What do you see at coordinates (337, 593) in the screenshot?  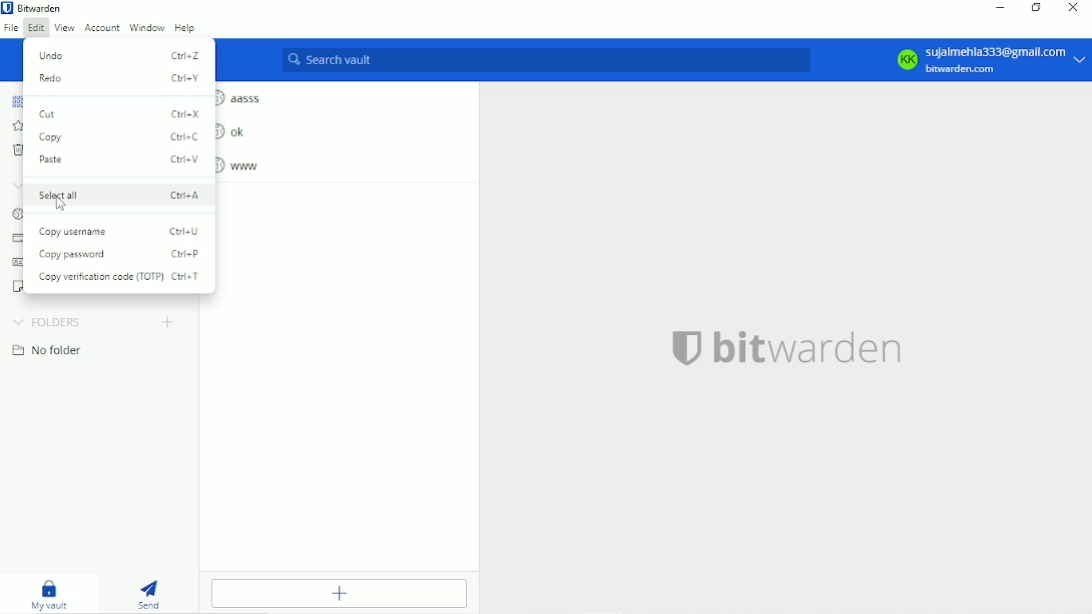 I see `Add item` at bounding box center [337, 593].